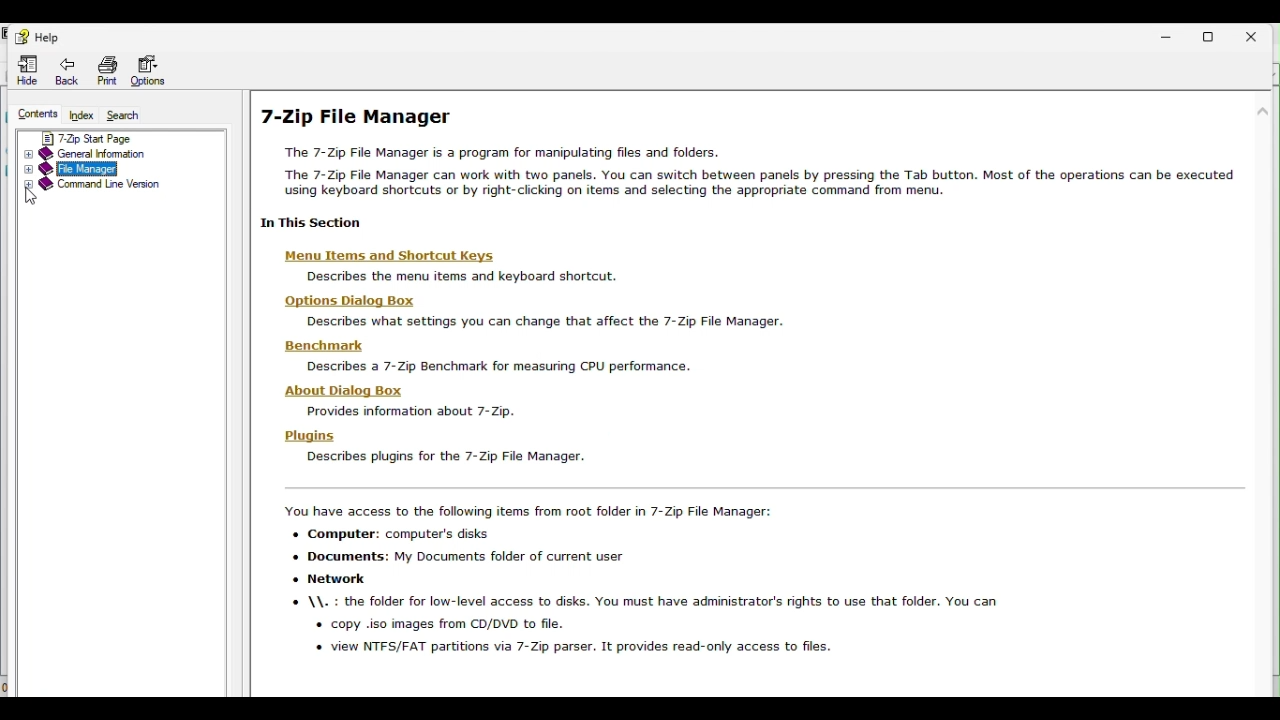 This screenshot has height=720, width=1280. What do you see at coordinates (457, 278) in the screenshot?
I see `description text` at bounding box center [457, 278].